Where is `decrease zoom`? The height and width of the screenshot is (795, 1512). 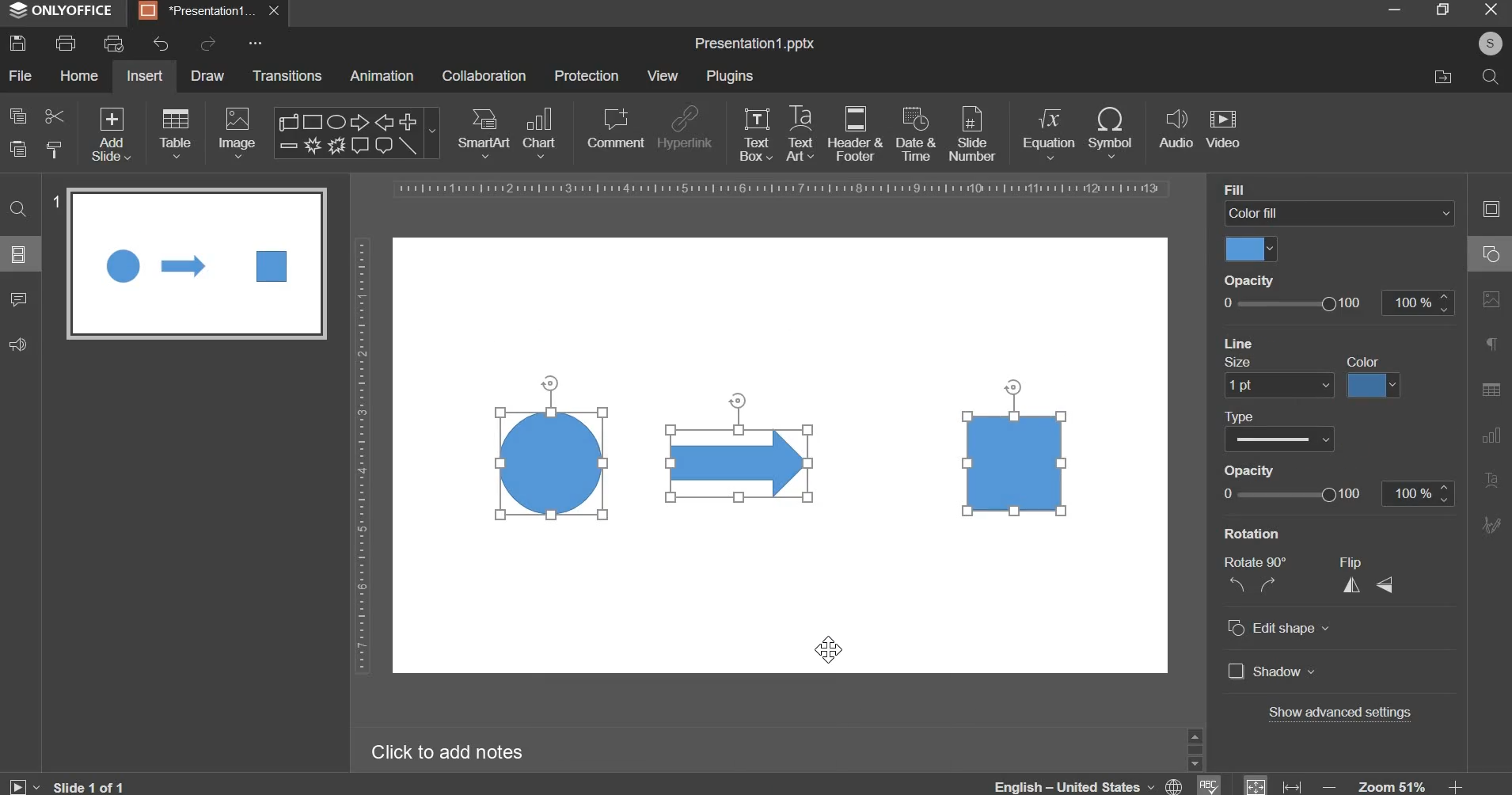 decrease zoom is located at coordinates (1330, 786).